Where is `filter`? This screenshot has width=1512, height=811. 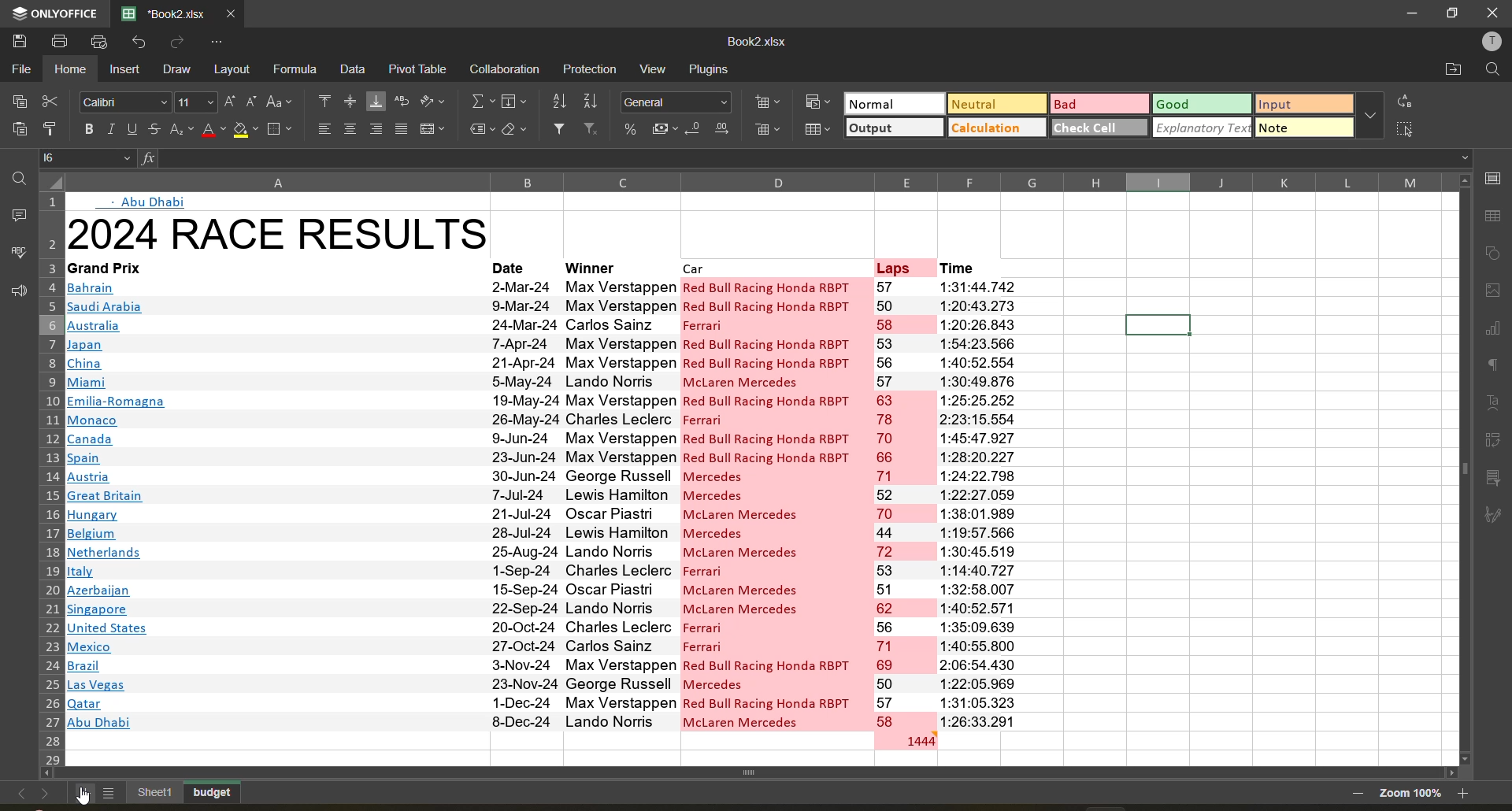 filter is located at coordinates (563, 128).